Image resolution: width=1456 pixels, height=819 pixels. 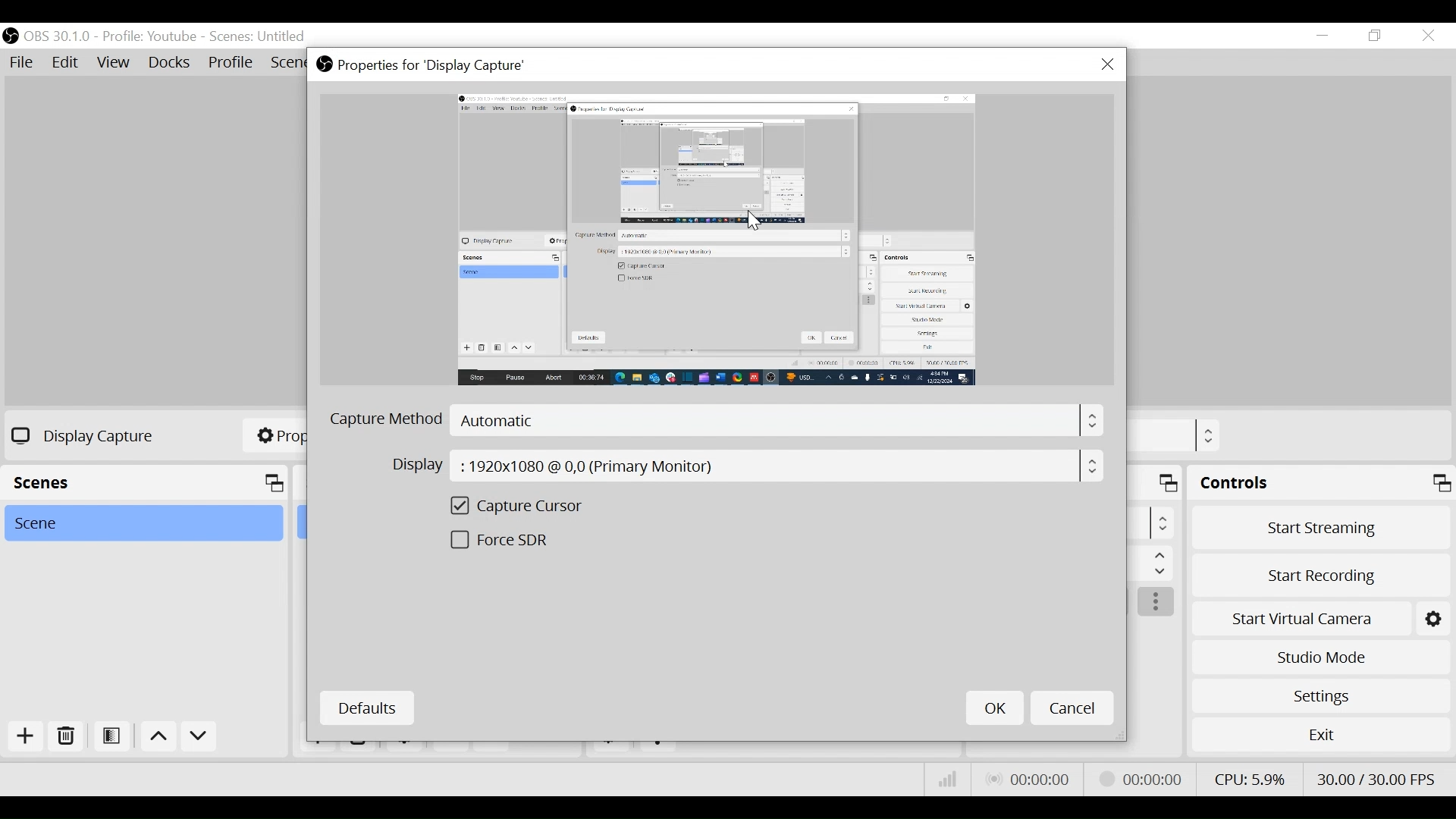 What do you see at coordinates (1071, 707) in the screenshot?
I see `Cancel` at bounding box center [1071, 707].